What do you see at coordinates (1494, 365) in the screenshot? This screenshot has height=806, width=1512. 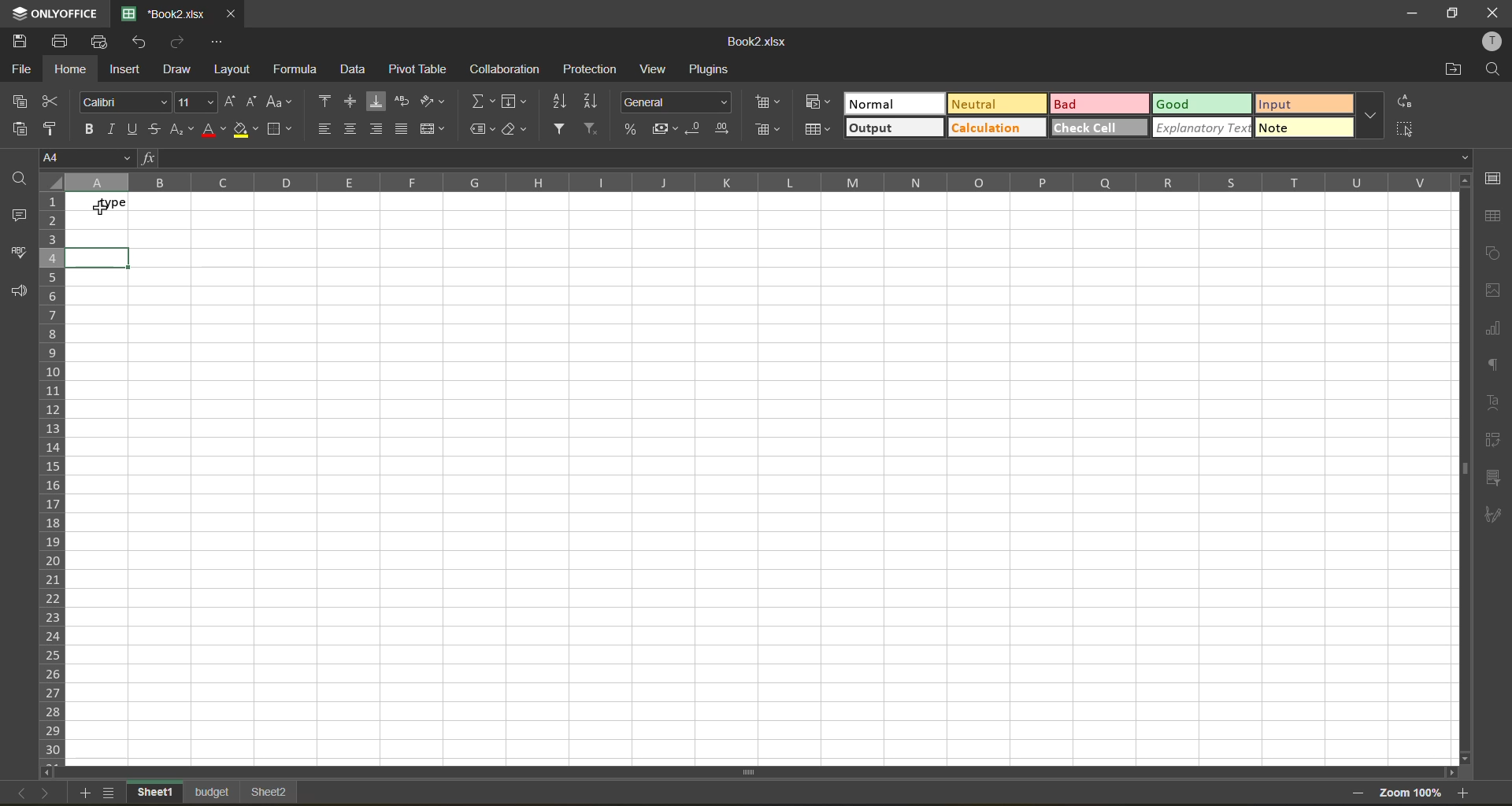 I see `paragraph` at bounding box center [1494, 365].